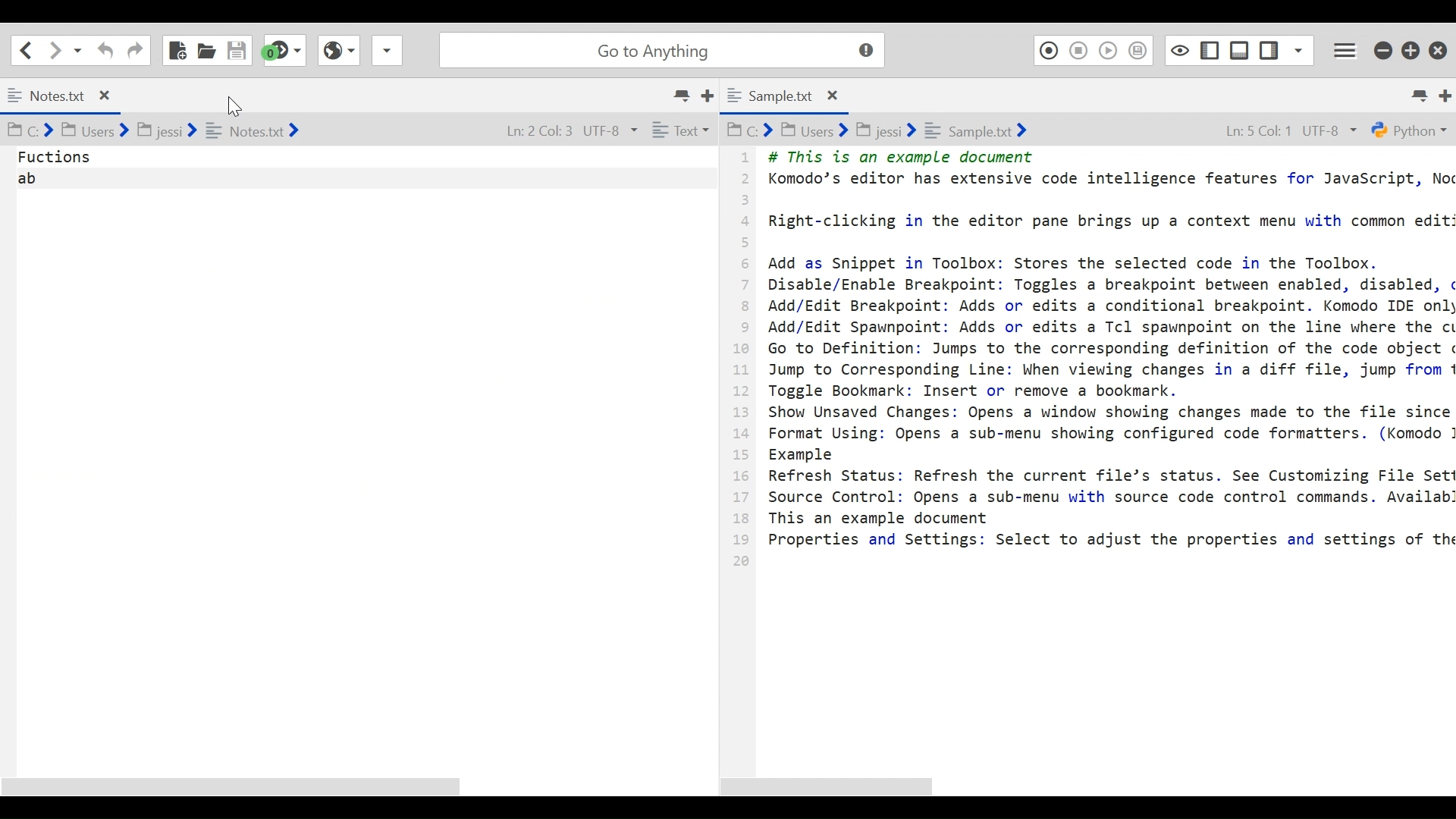 The height and width of the screenshot is (819, 1456). Describe the element at coordinates (351, 784) in the screenshot. I see `Scroll bar` at that location.